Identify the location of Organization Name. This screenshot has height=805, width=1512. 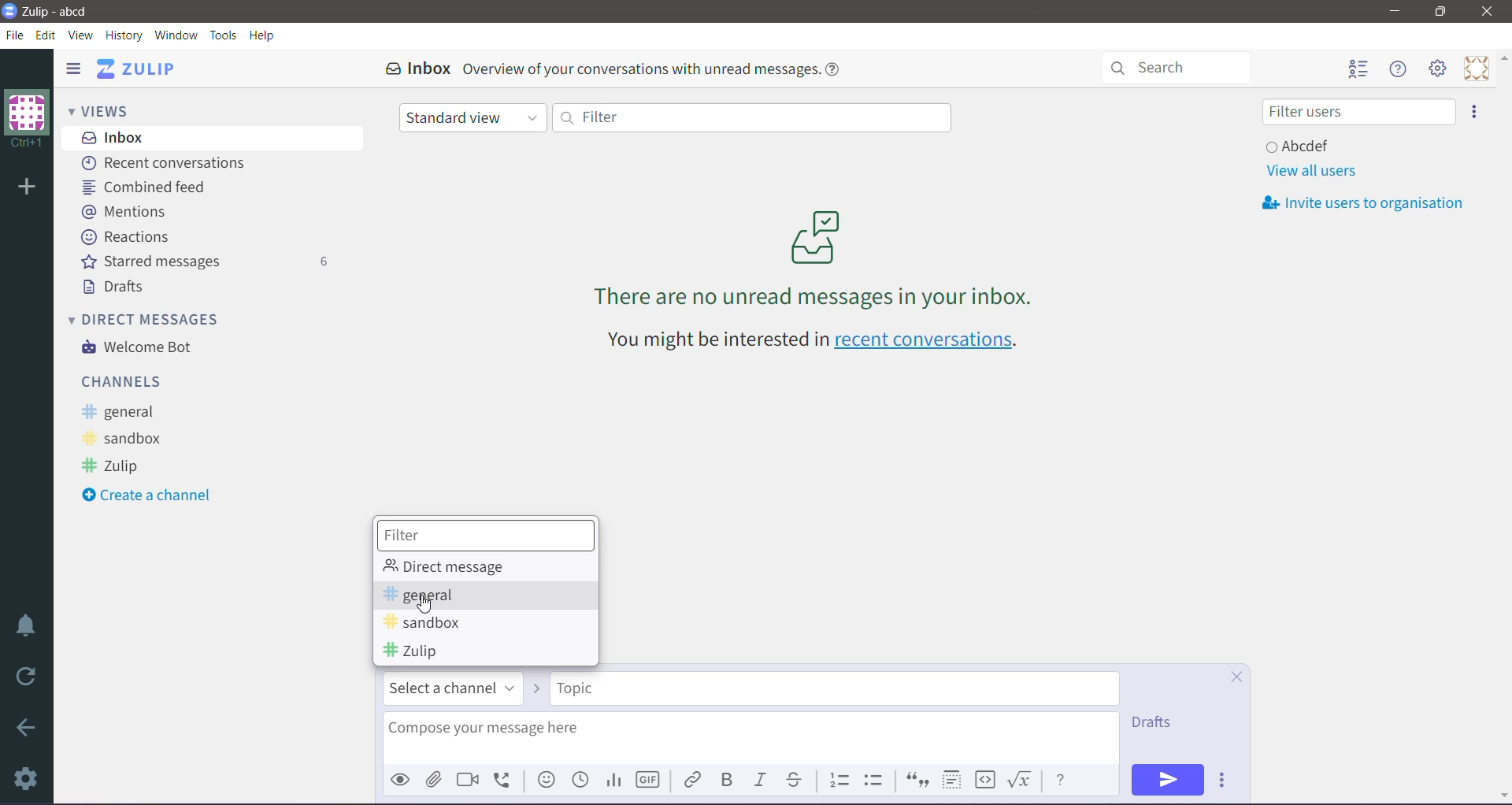
(27, 119).